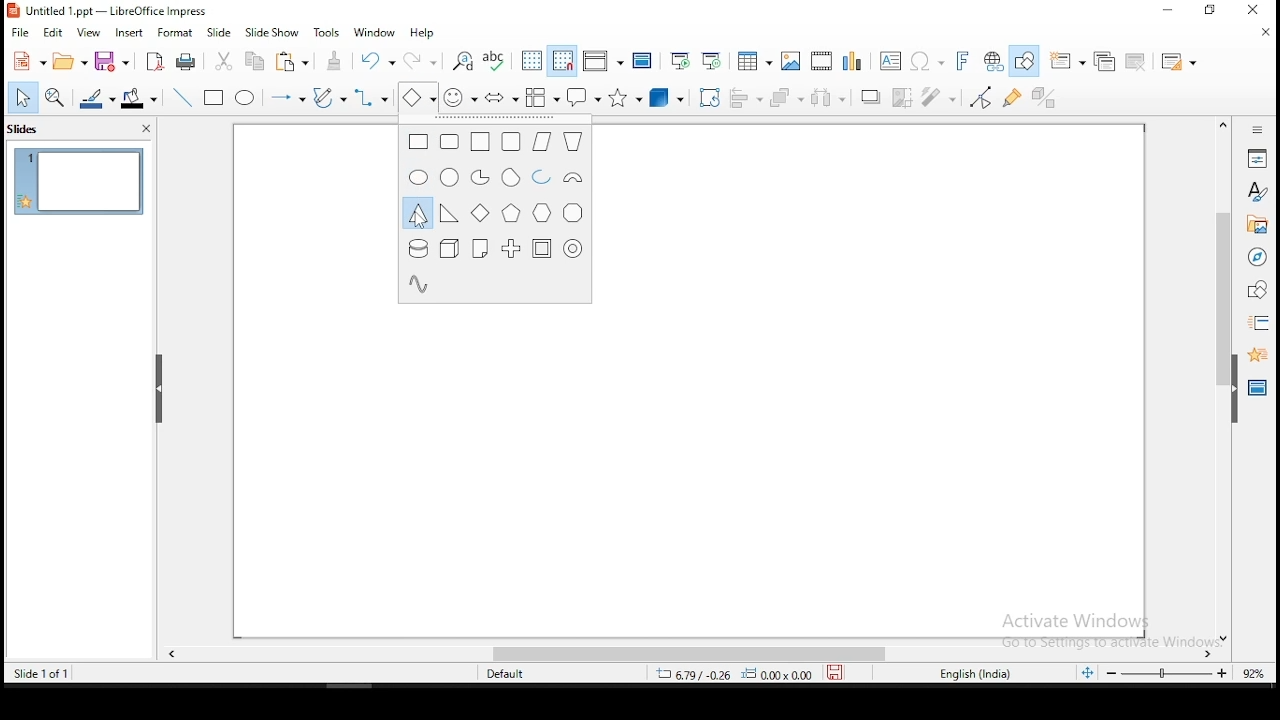  Describe the element at coordinates (643, 61) in the screenshot. I see `master slide` at that location.